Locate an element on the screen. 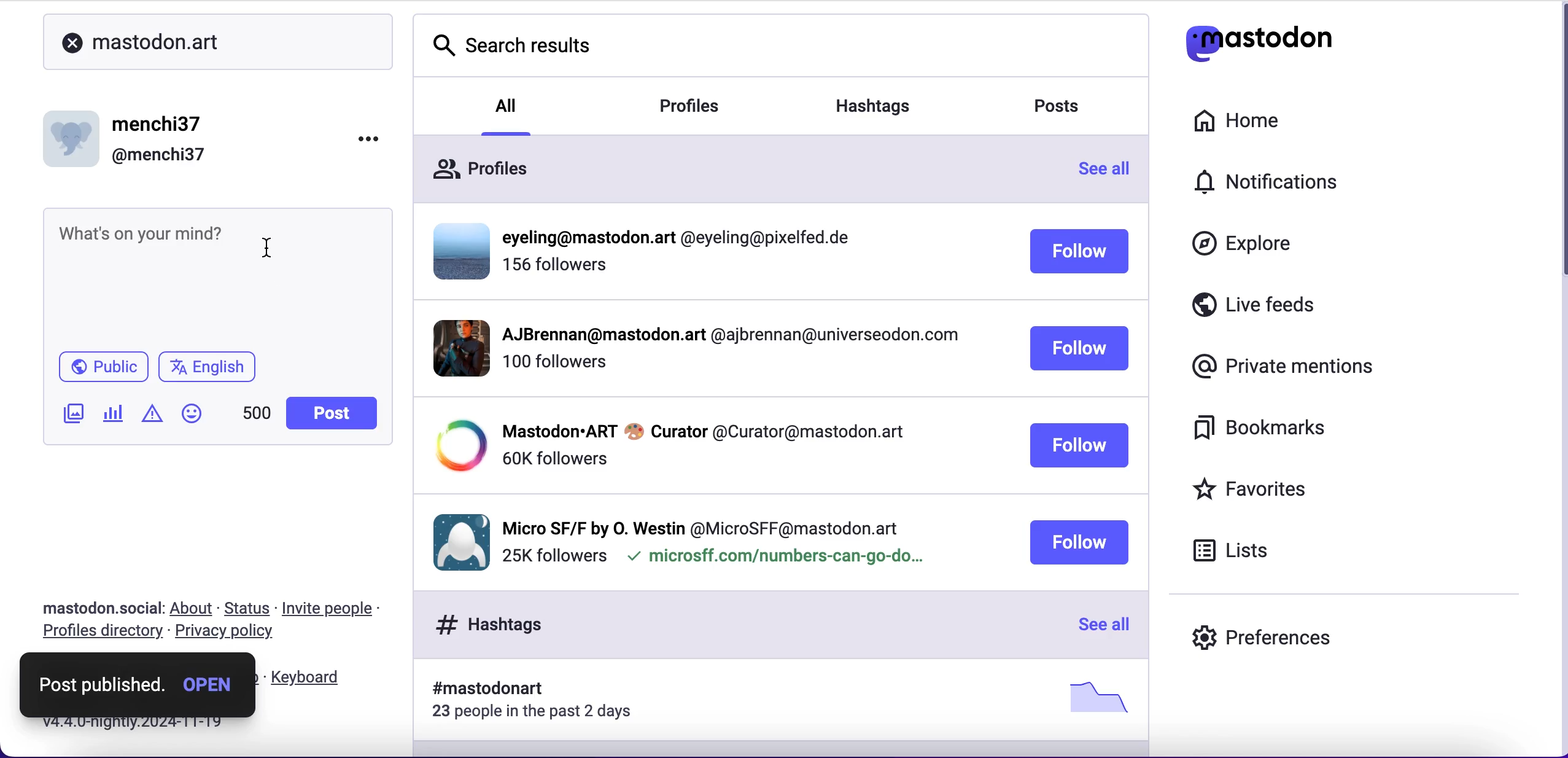  posts is located at coordinates (1068, 109).